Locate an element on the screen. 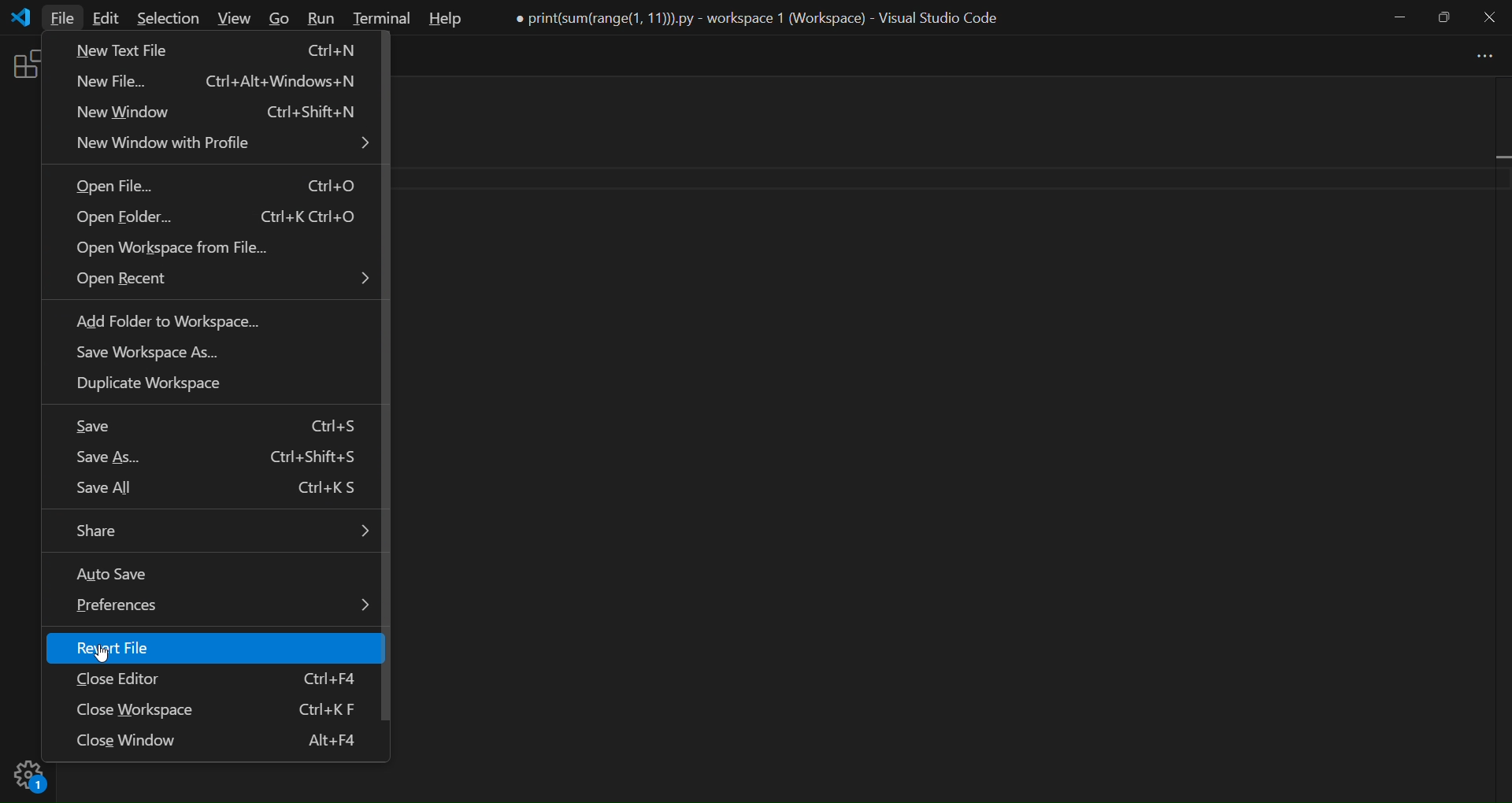 This screenshot has height=803, width=1512. save as is located at coordinates (224, 459).